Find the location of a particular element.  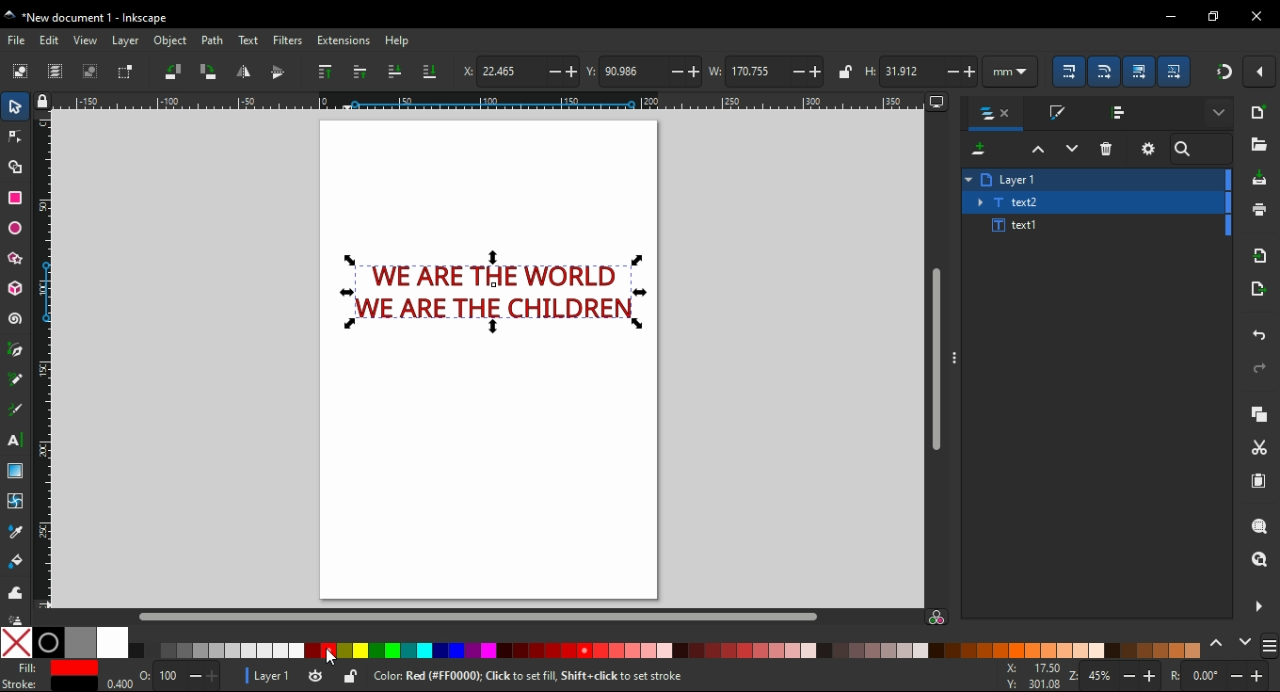

color options is located at coordinates (668, 651).